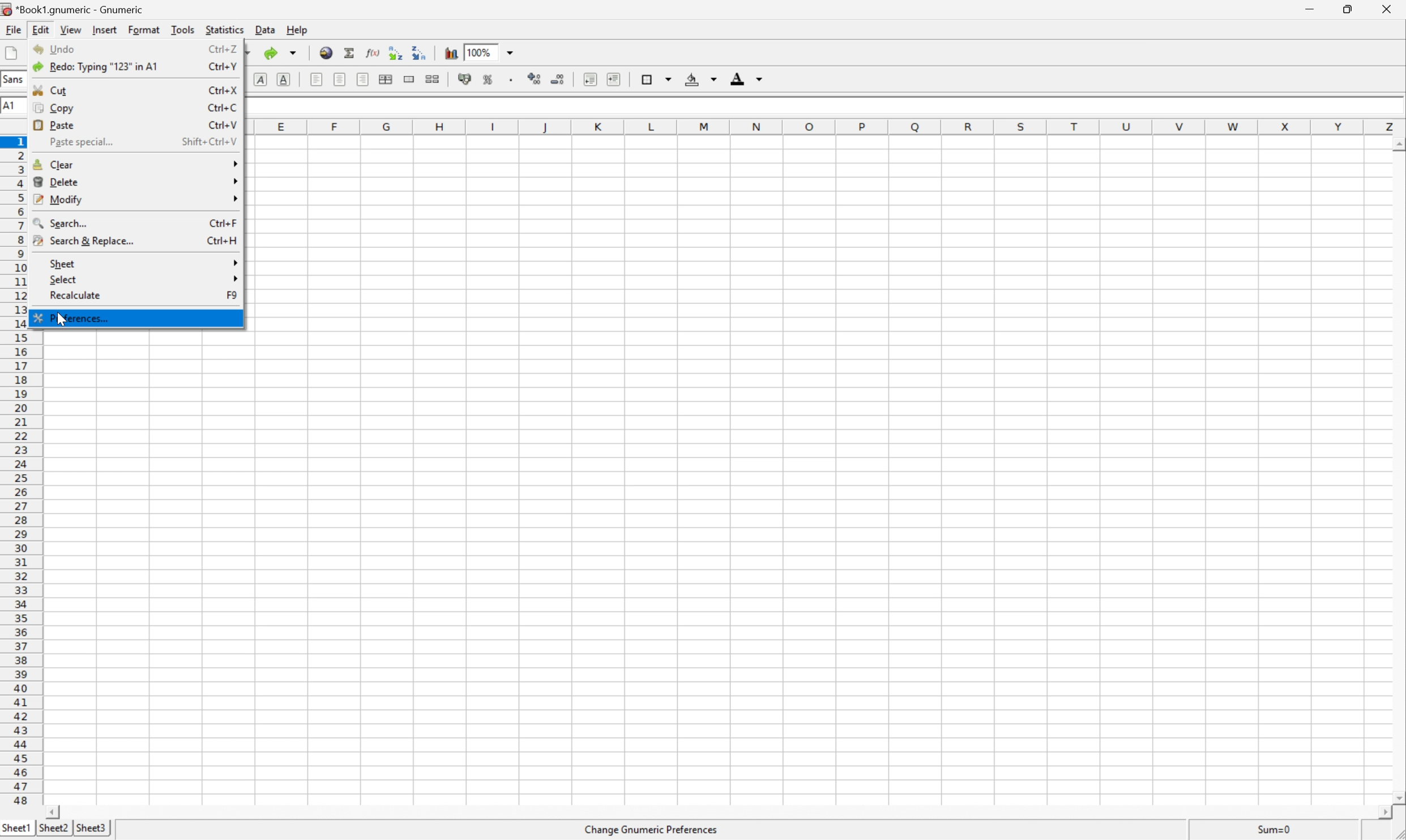  Describe the element at coordinates (656, 79) in the screenshot. I see `borders` at that location.